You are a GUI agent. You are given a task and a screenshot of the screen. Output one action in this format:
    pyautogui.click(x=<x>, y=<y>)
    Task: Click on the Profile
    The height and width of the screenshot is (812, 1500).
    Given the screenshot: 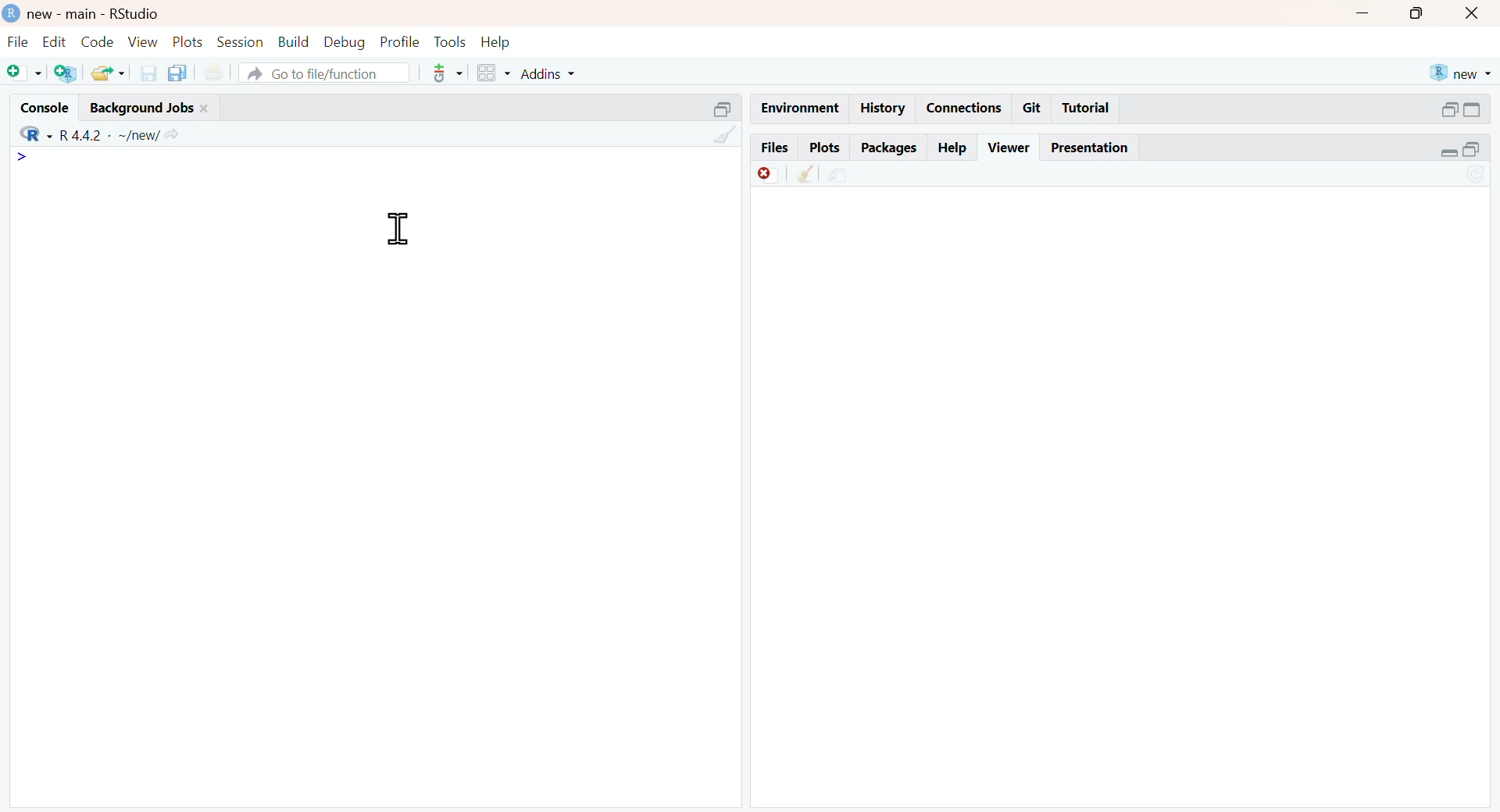 What is the action you would take?
    pyautogui.click(x=397, y=40)
    